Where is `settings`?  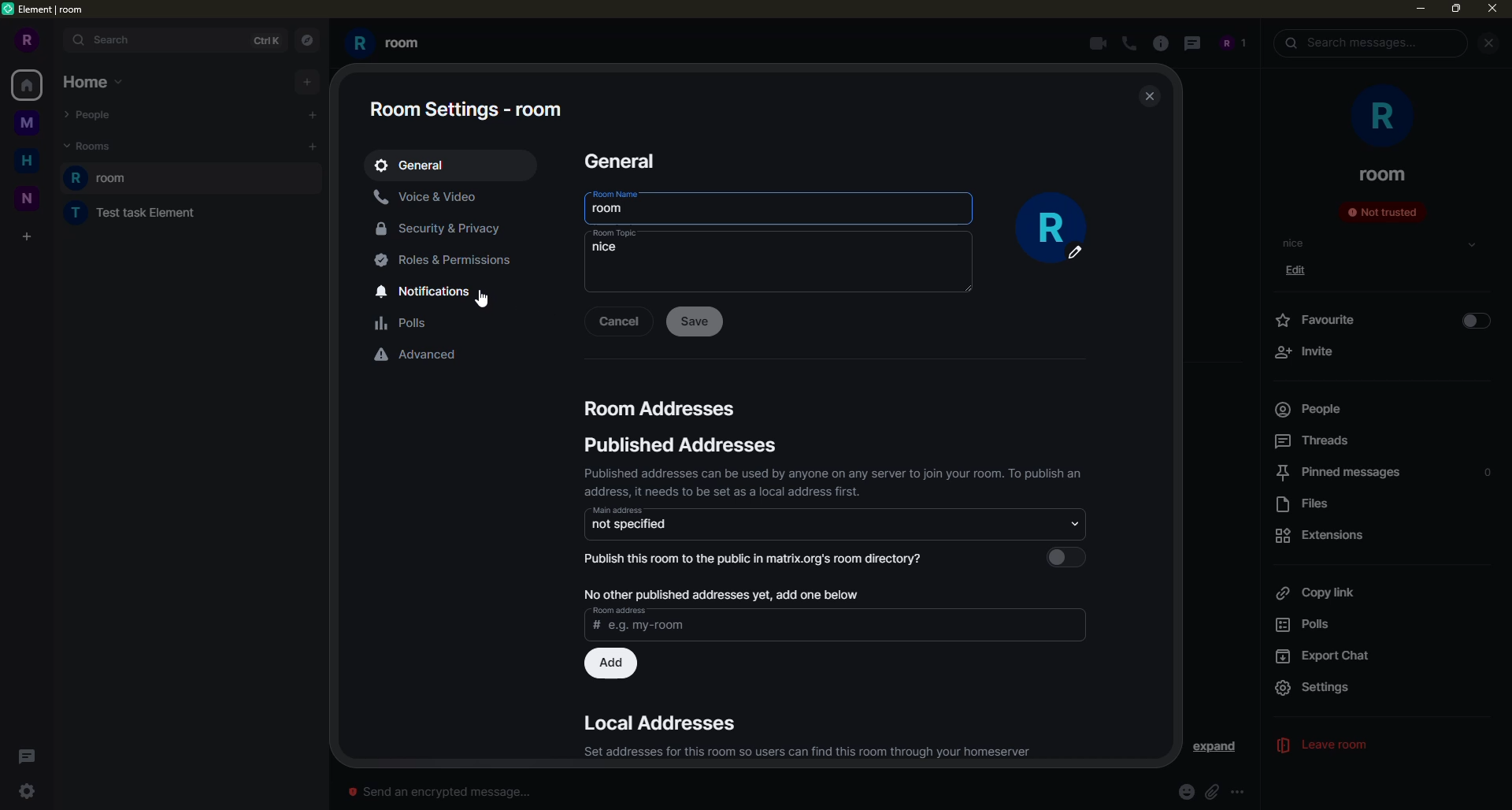
settings is located at coordinates (1330, 688).